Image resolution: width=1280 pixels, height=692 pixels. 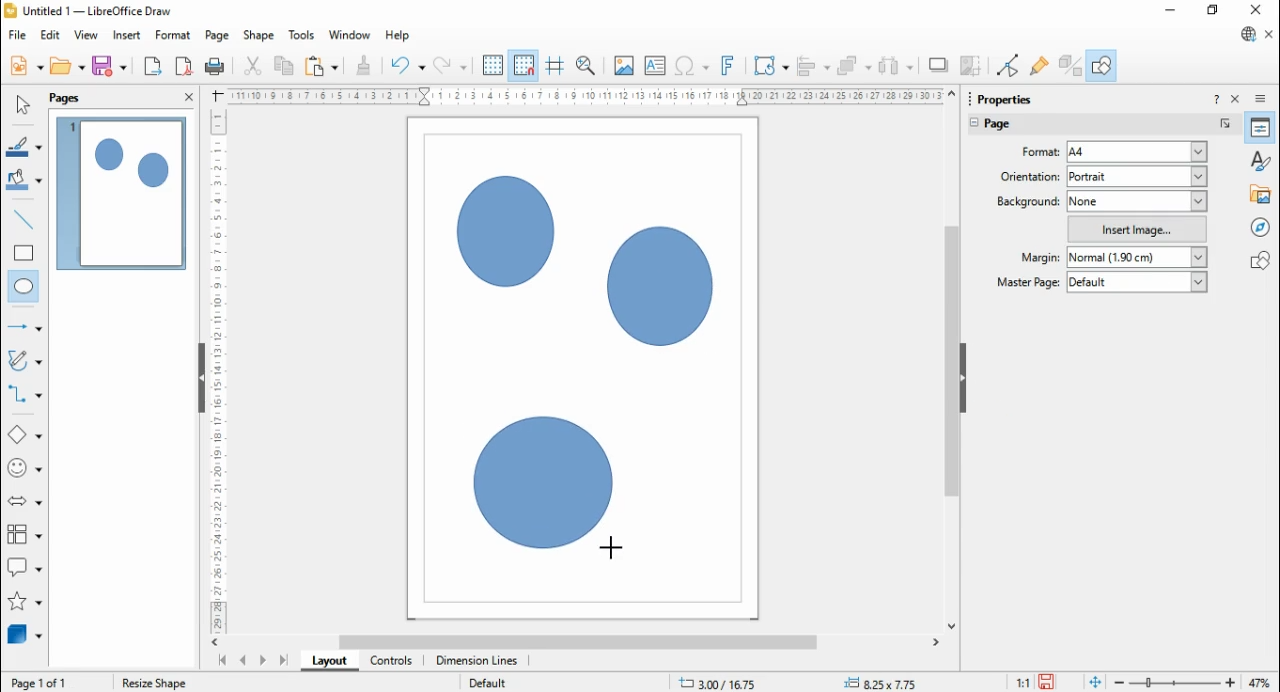 What do you see at coordinates (25, 437) in the screenshot?
I see `basic shapes` at bounding box center [25, 437].